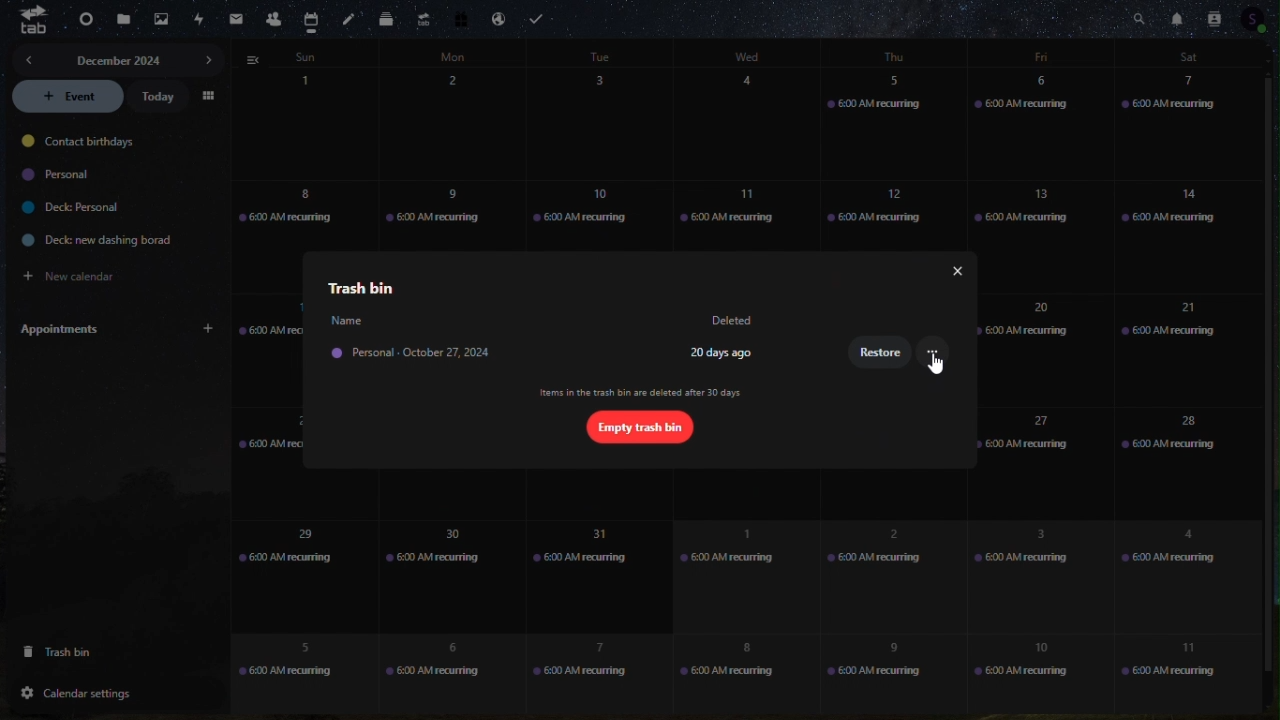 This screenshot has width=1280, height=720. Describe the element at coordinates (115, 329) in the screenshot. I see `Appointments` at that location.